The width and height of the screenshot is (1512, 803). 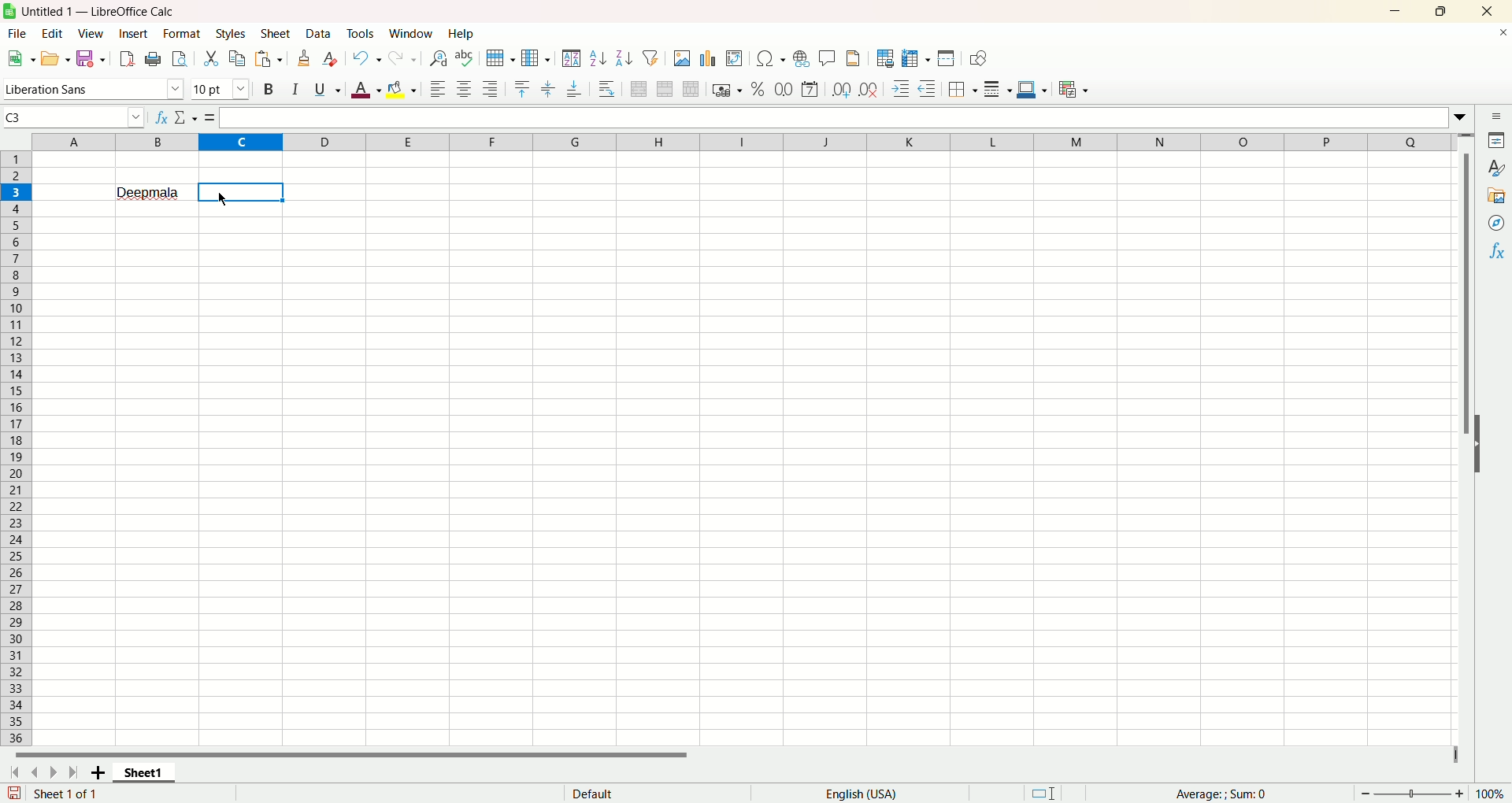 I want to click on Italic, so click(x=297, y=87).